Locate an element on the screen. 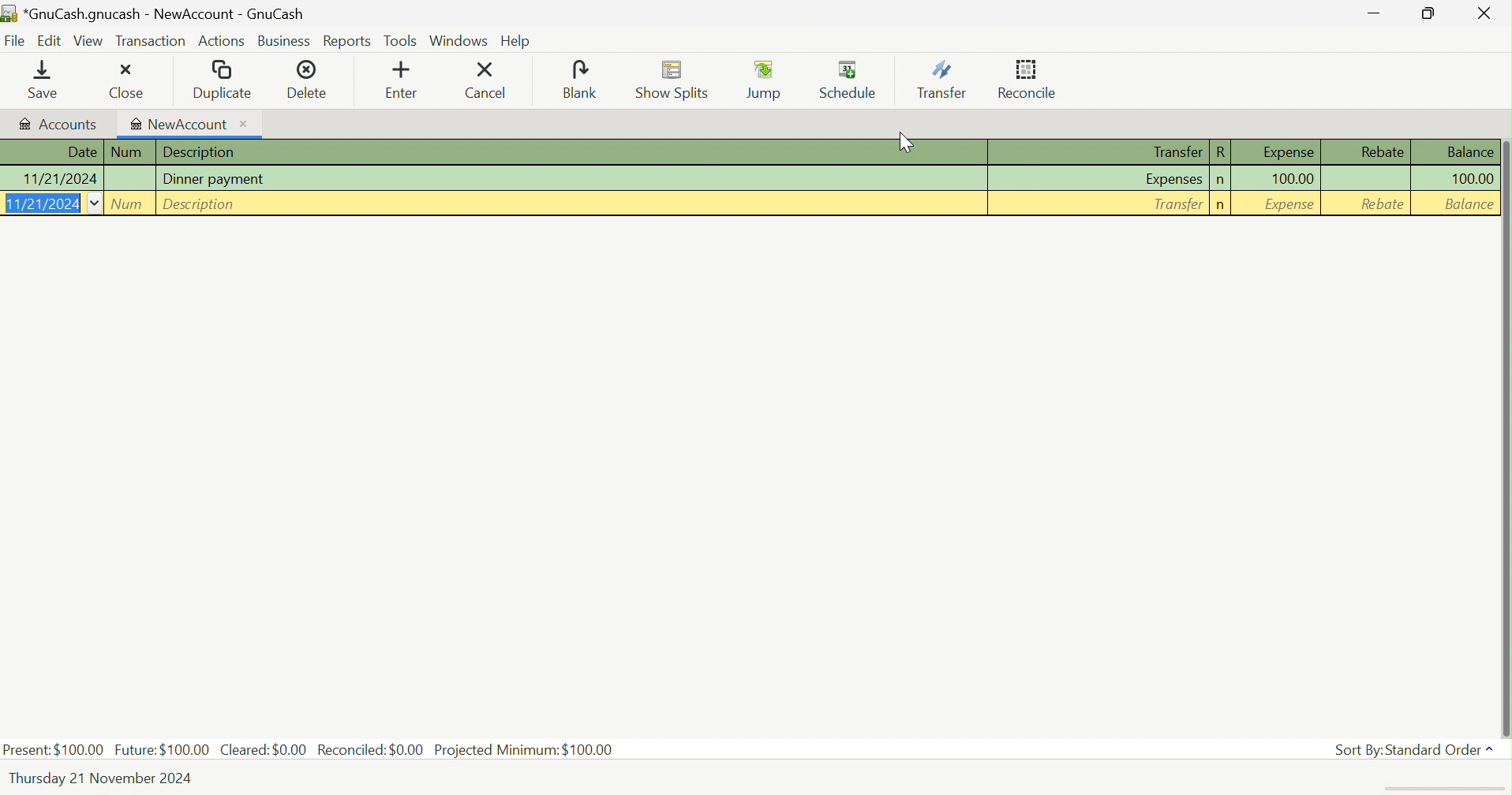 The image size is (1512, 795). NewAccount is located at coordinates (189, 123).